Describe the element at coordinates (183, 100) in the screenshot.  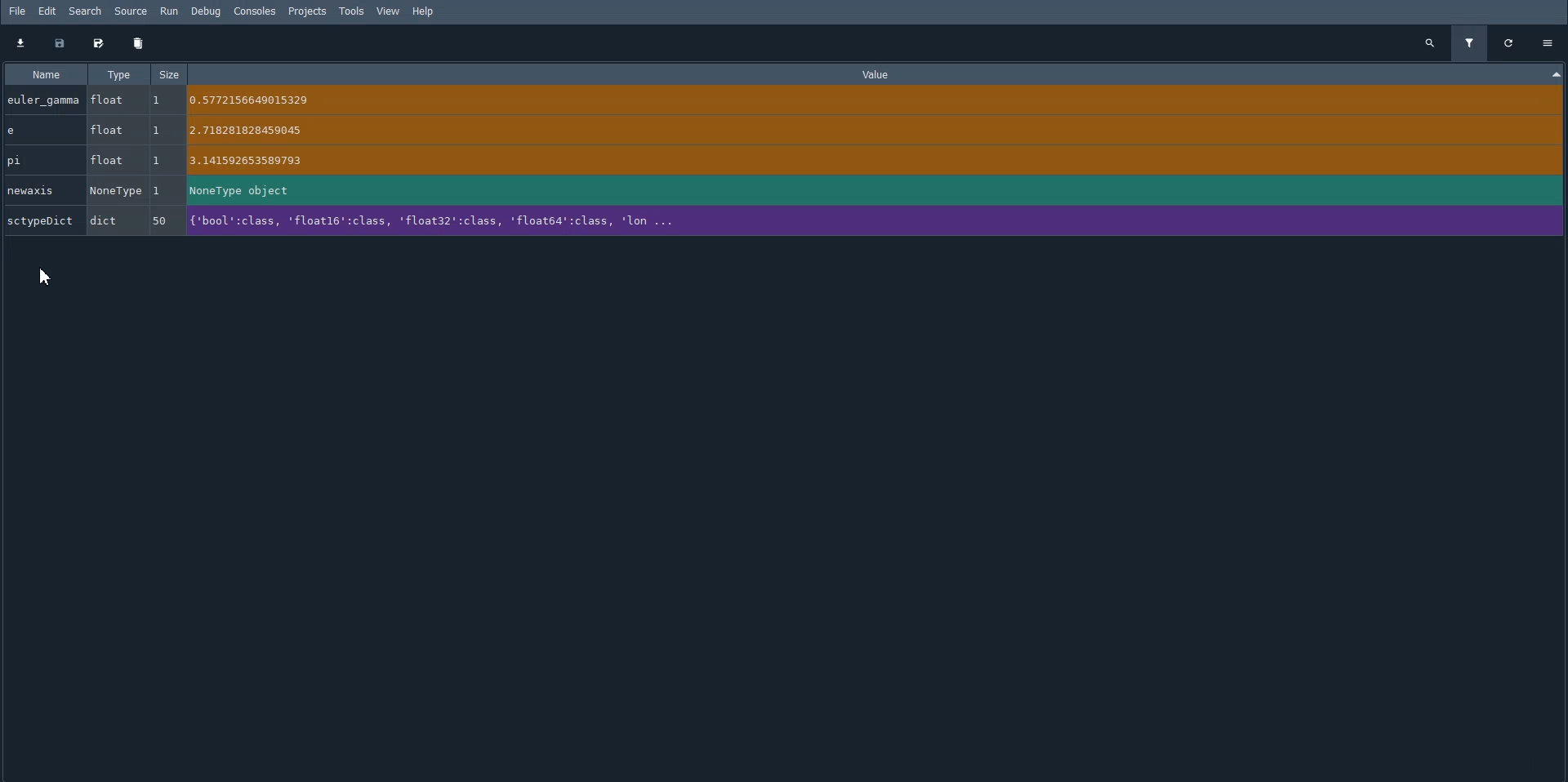
I see `euler_gamma` at that location.